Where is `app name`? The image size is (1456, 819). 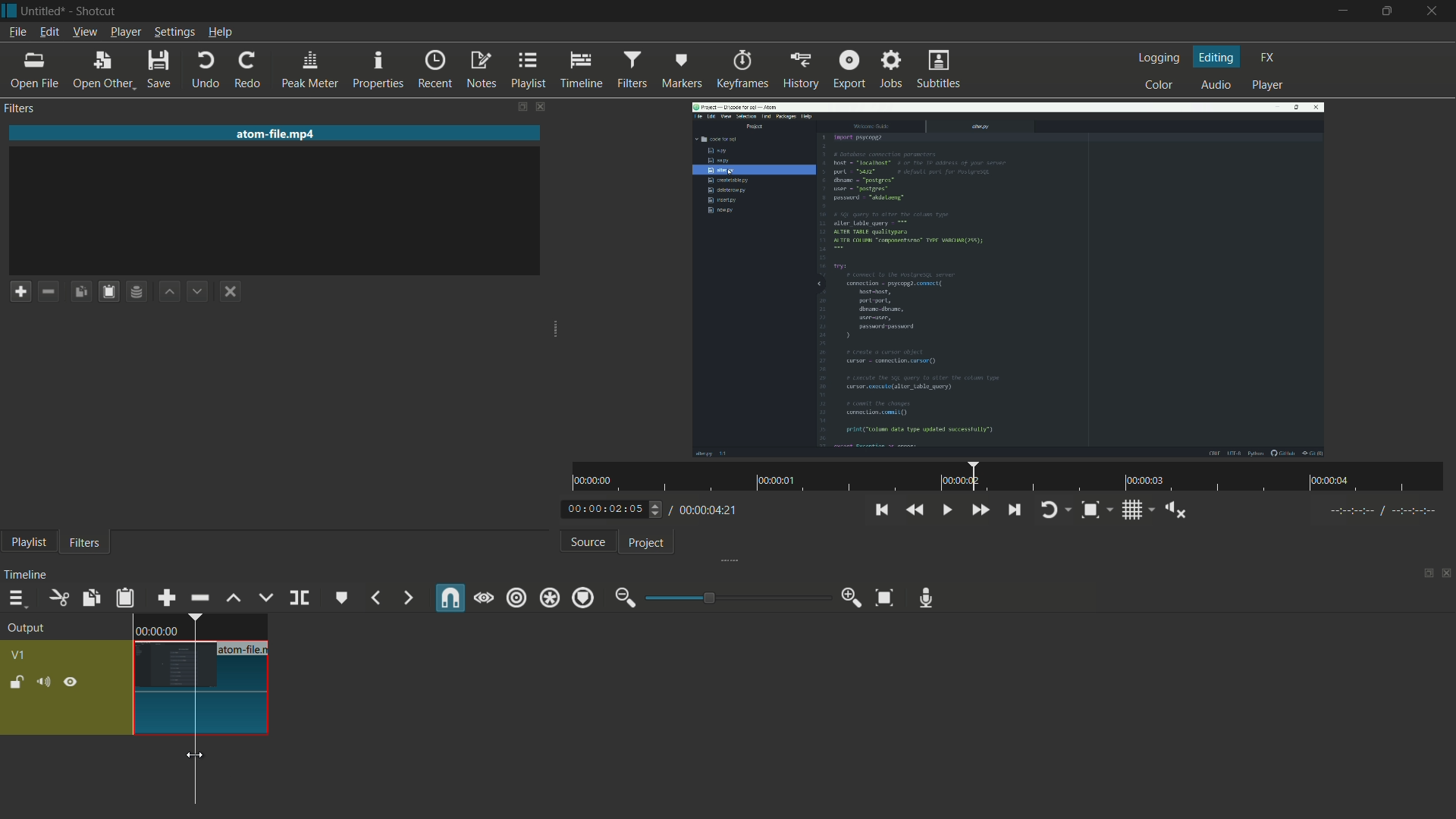
app name is located at coordinates (96, 11).